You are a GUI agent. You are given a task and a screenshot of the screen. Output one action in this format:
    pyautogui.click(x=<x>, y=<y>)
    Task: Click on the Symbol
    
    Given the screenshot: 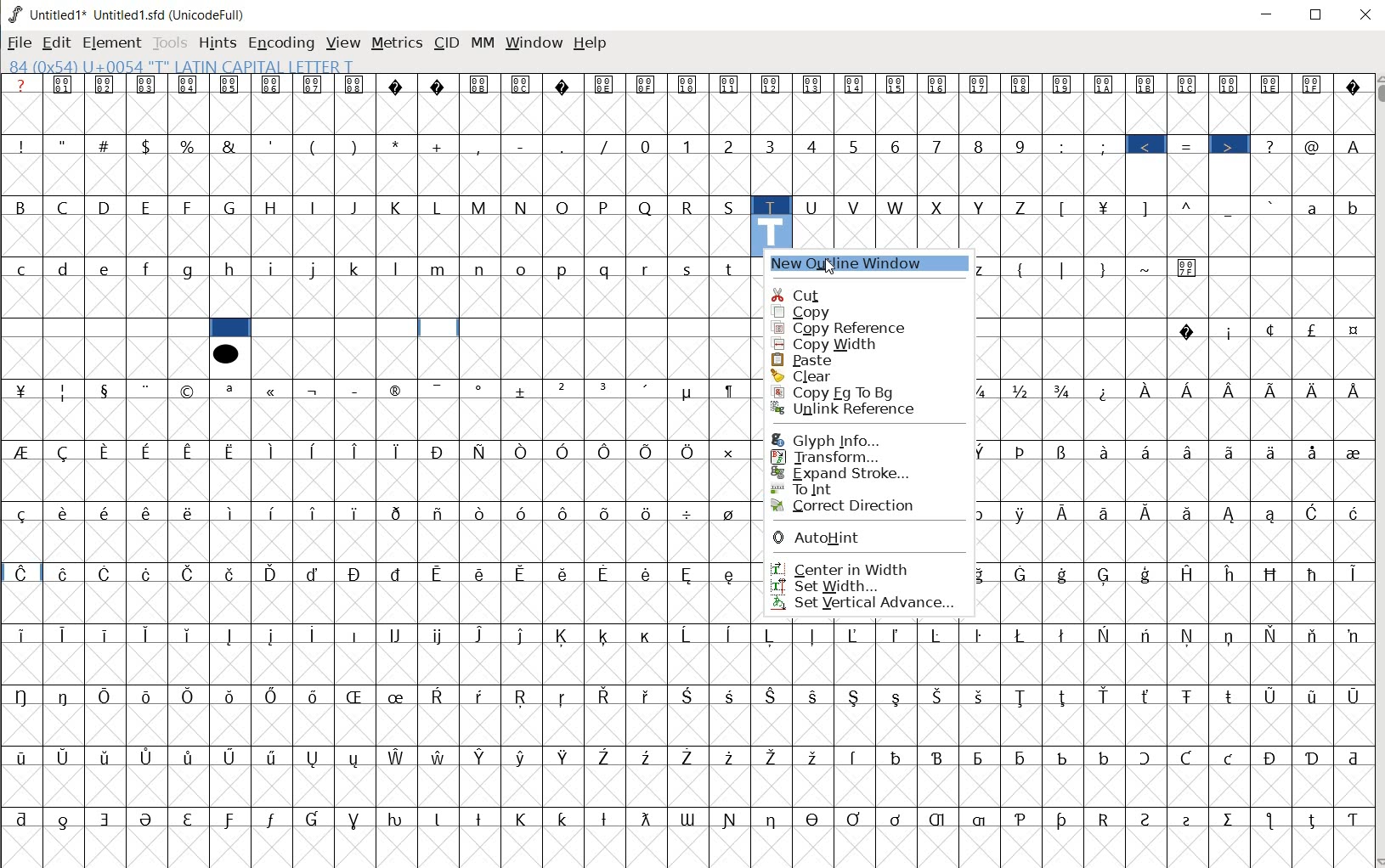 What is the action you would take?
    pyautogui.click(x=399, y=85)
    